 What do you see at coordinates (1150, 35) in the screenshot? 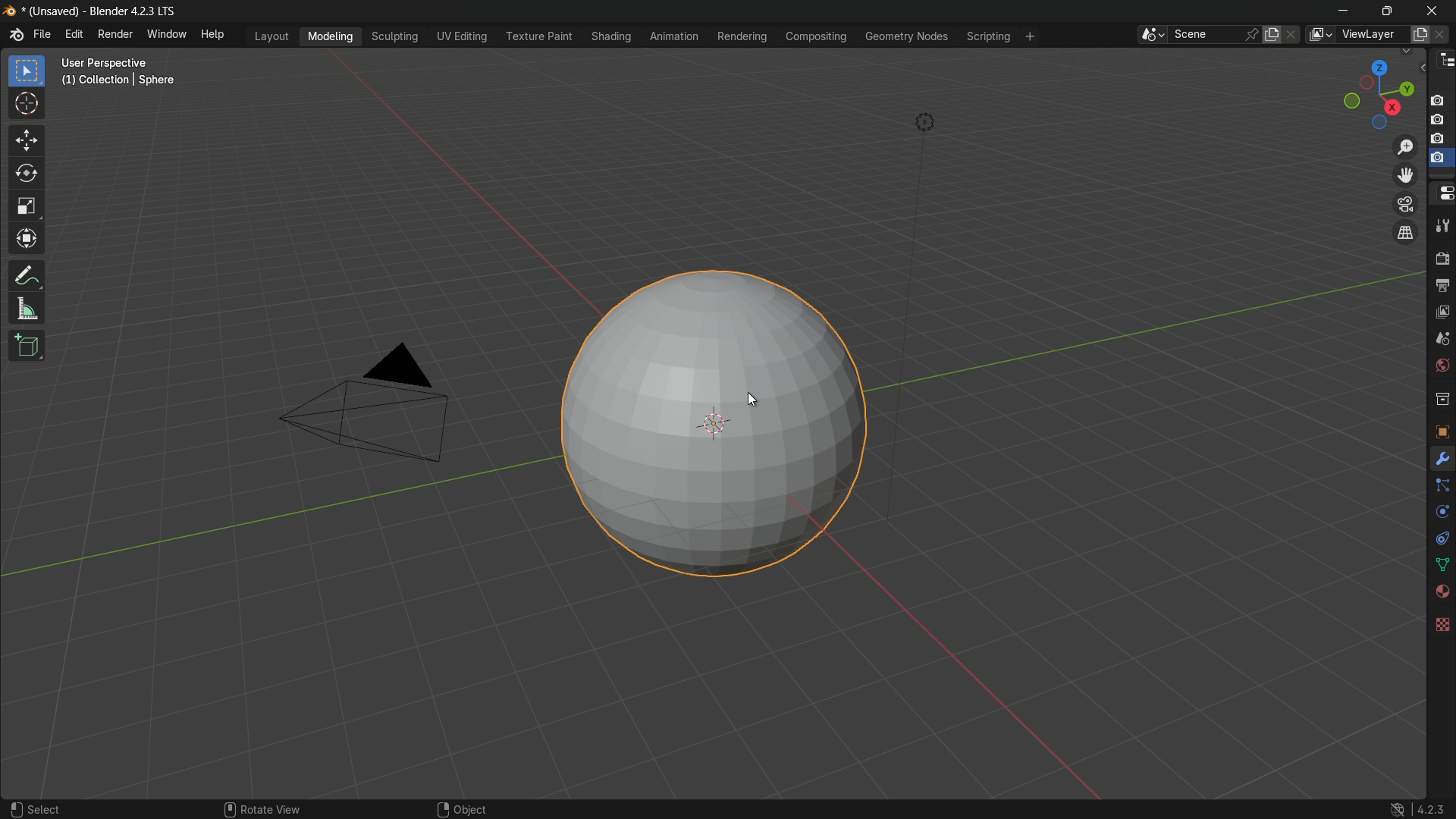
I see `browse scenes` at bounding box center [1150, 35].